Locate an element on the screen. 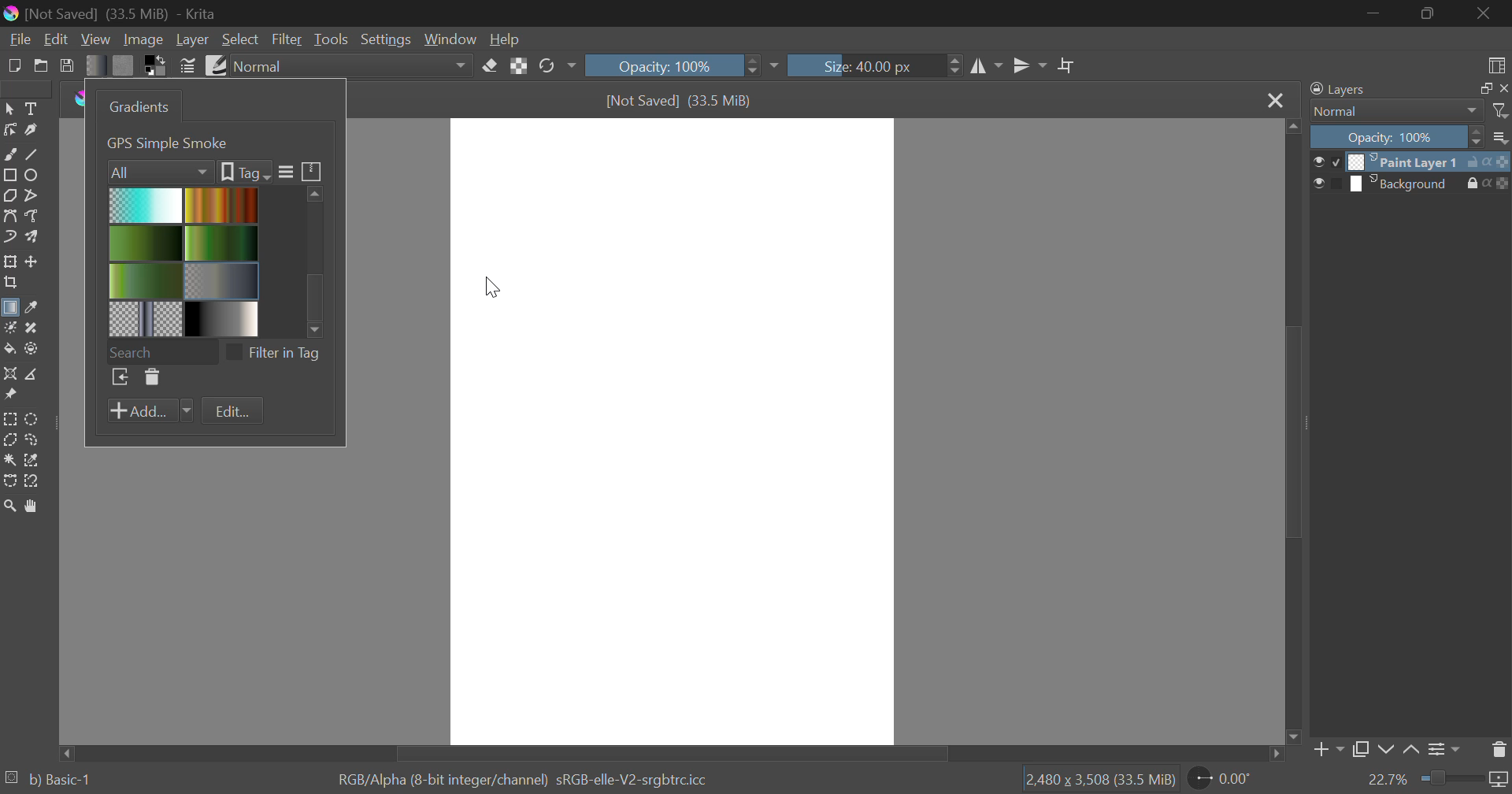 This screenshot has height=794, width=1512. more options is located at coordinates (1501, 137).